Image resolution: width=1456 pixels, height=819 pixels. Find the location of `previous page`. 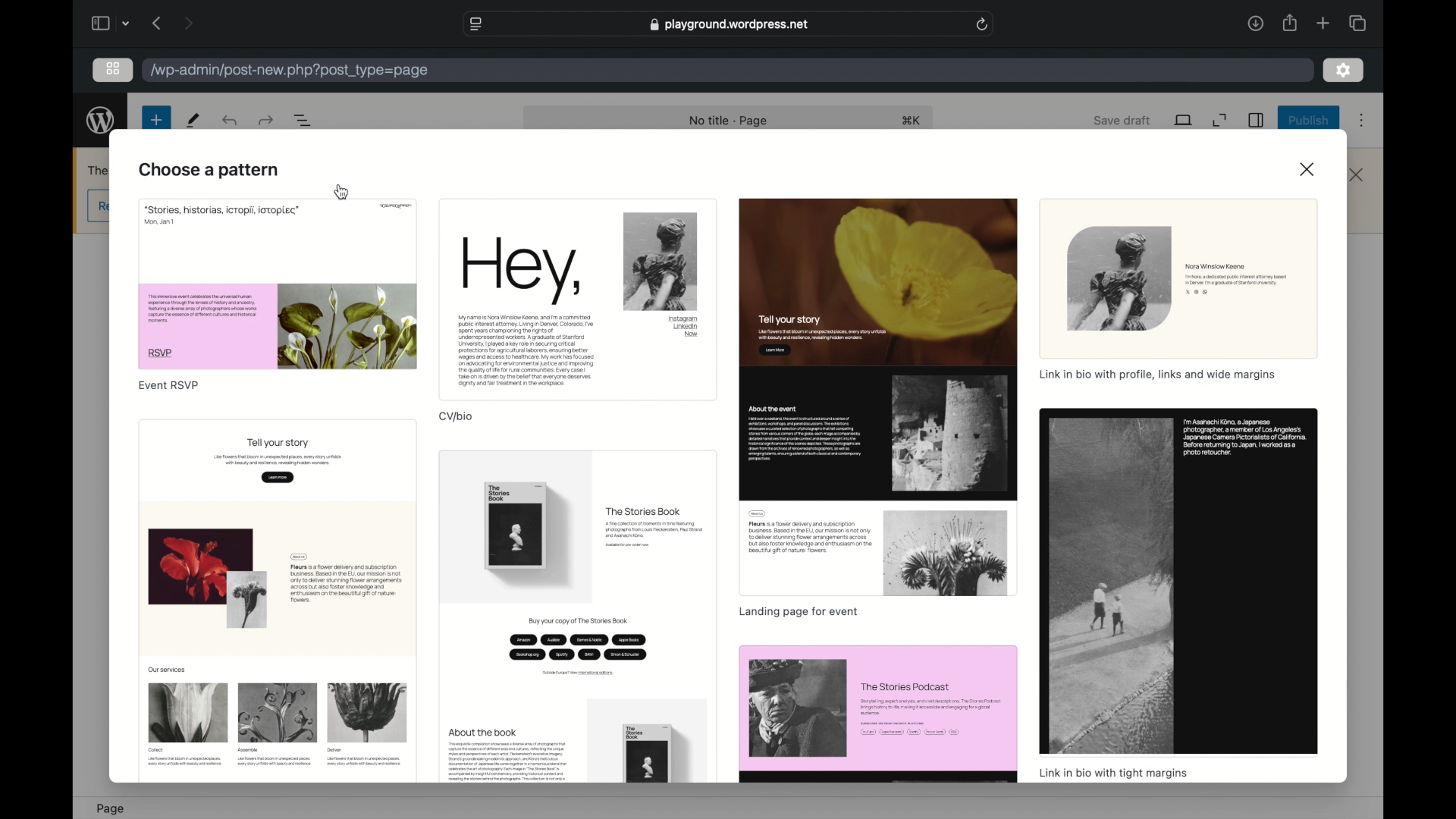

previous page is located at coordinates (155, 23).